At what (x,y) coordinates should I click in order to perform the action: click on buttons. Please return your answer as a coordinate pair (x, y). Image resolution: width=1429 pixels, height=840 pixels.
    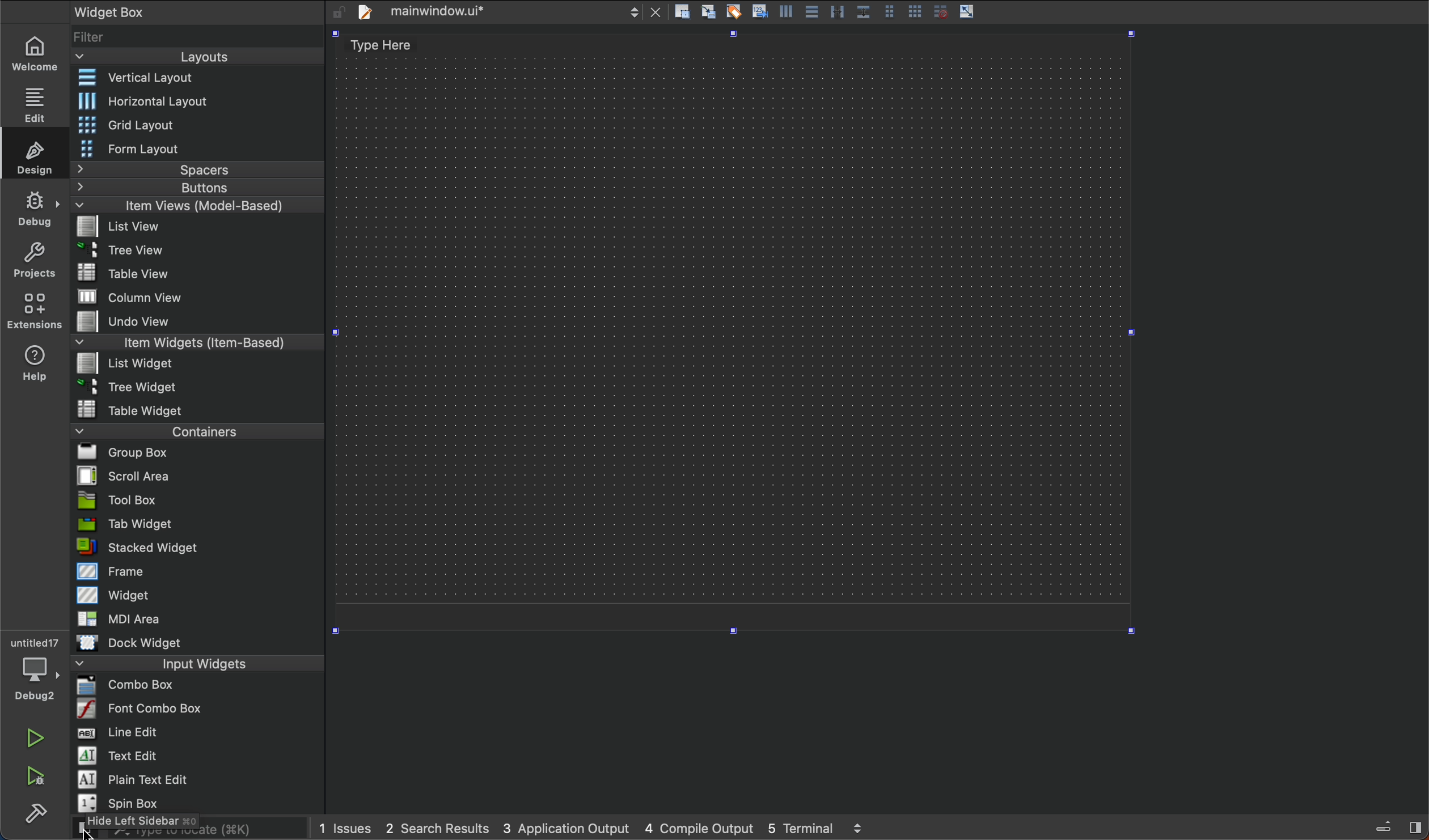
    Looking at the image, I should click on (191, 188).